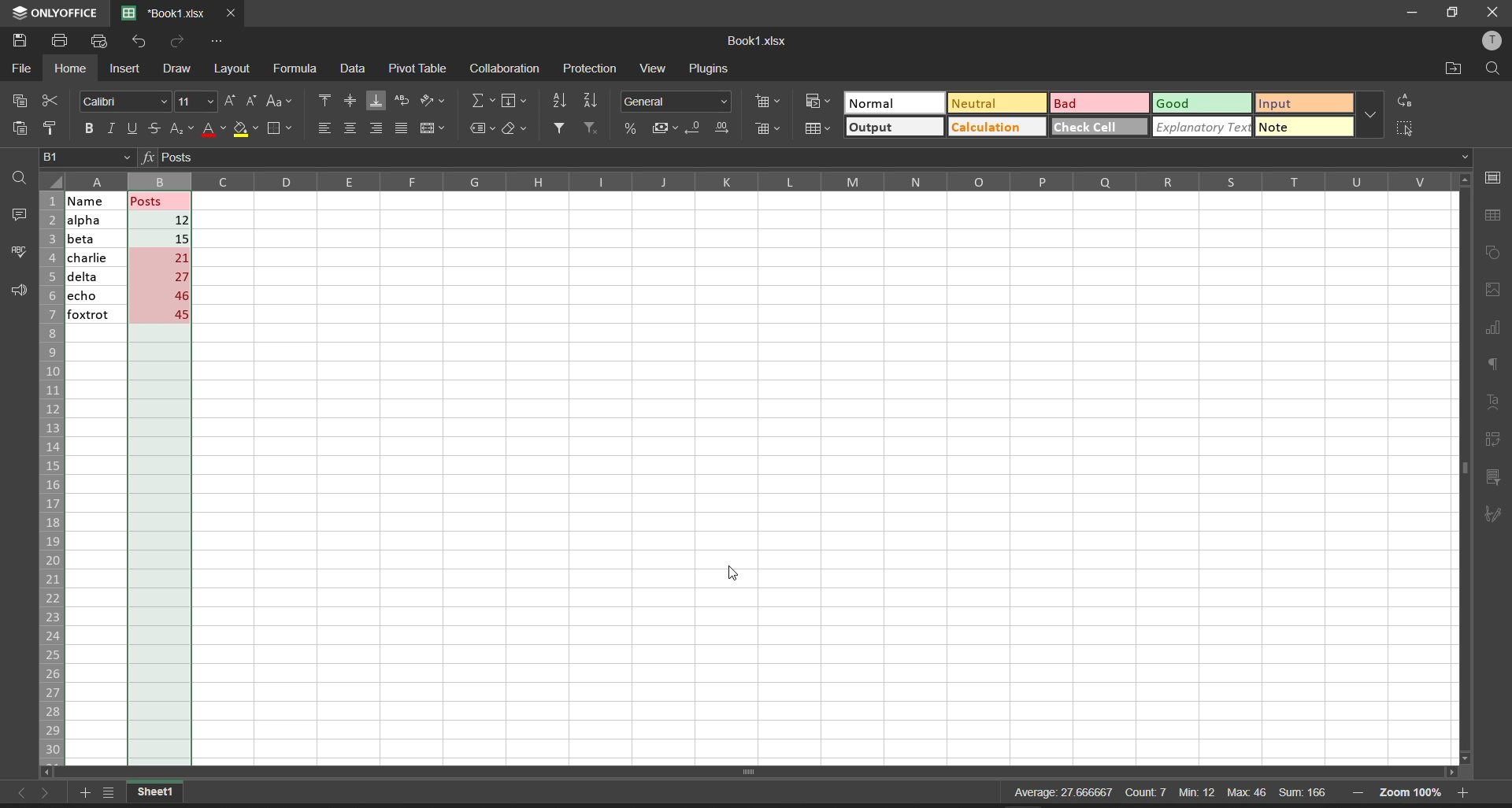 The height and width of the screenshot is (808, 1512). I want to click on file, so click(22, 69).